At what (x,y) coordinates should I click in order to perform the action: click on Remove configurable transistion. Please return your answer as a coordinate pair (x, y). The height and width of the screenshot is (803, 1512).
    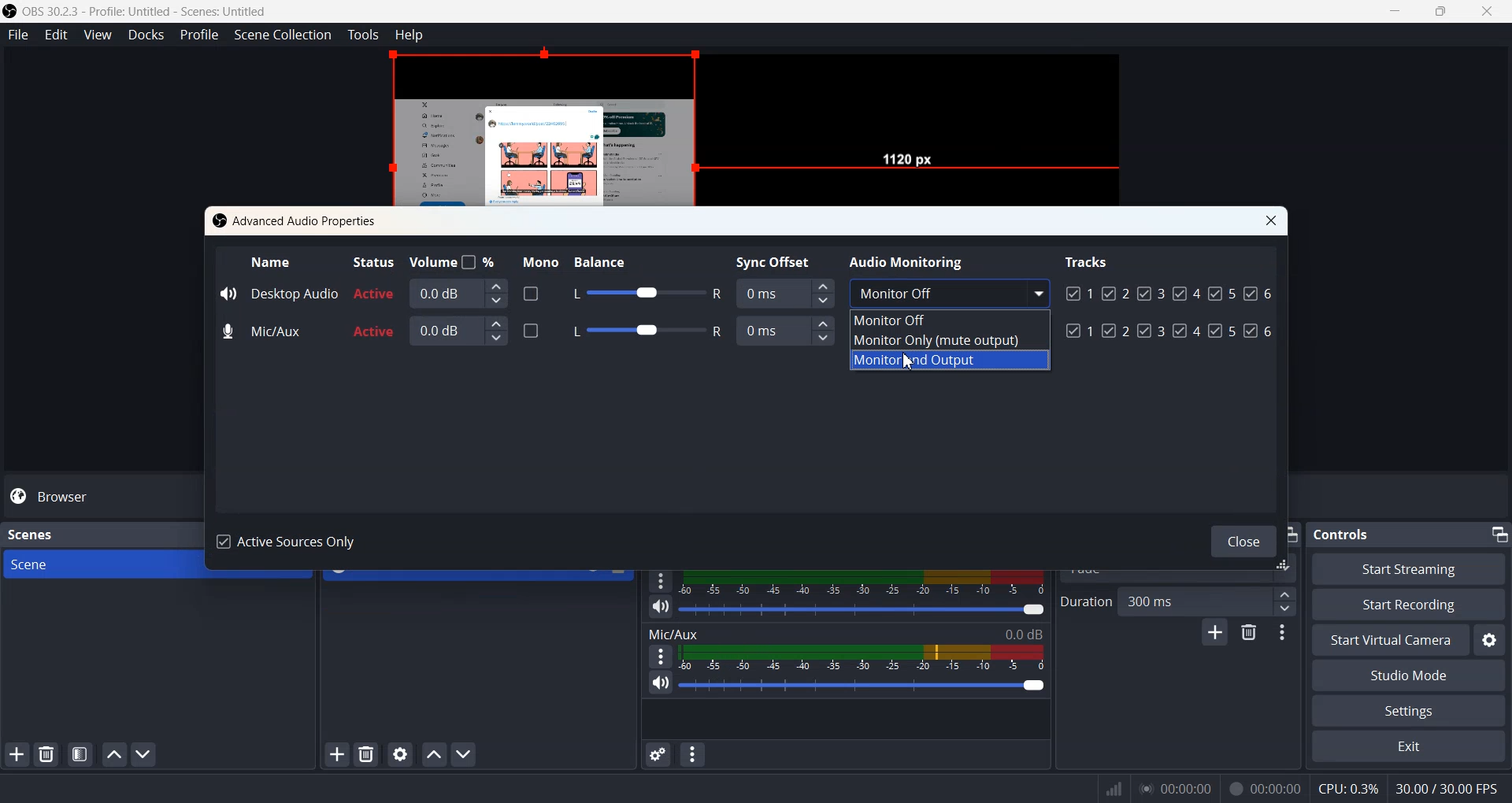
    Looking at the image, I should click on (1251, 634).